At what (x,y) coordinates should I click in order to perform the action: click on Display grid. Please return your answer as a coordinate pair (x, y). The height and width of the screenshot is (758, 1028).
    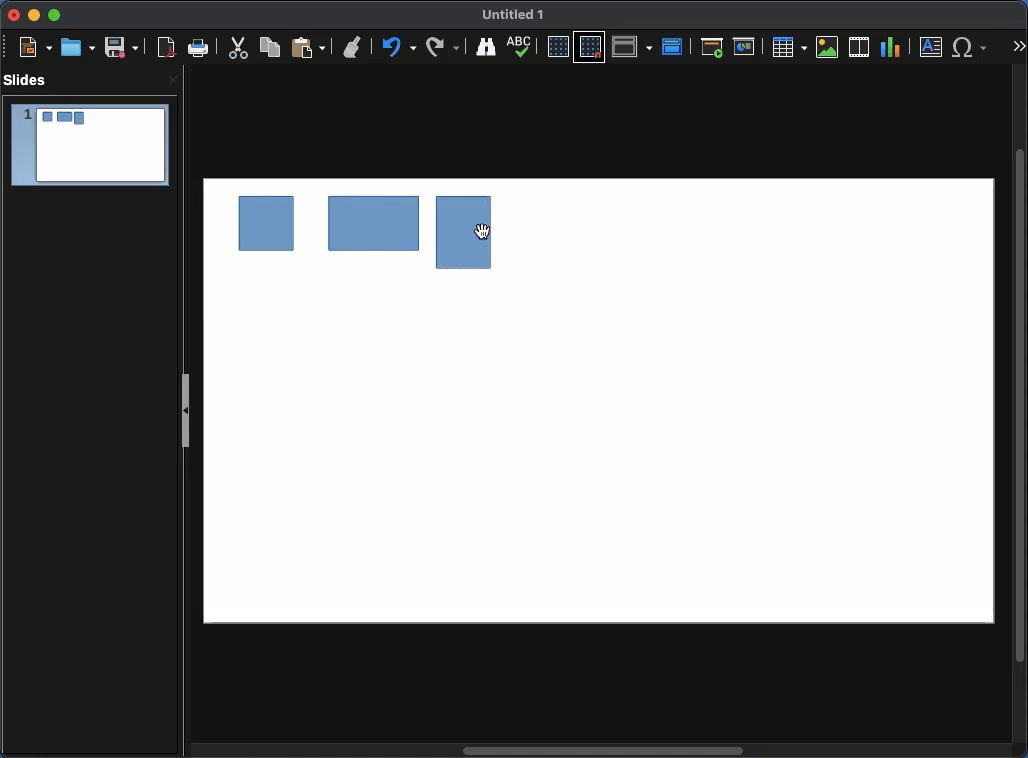
    Looking at the image, I should click on (557, 47).